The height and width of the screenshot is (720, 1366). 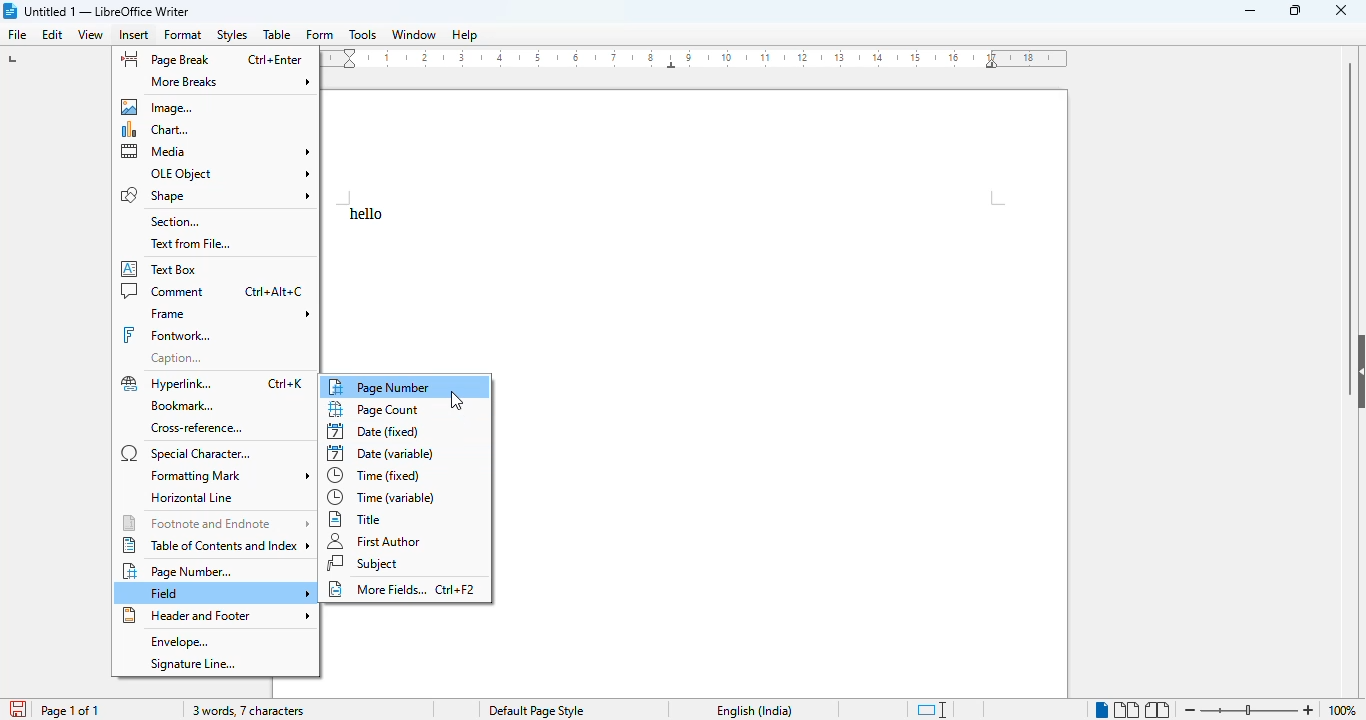 I want to click on envelope, so click(x=178, y=641).